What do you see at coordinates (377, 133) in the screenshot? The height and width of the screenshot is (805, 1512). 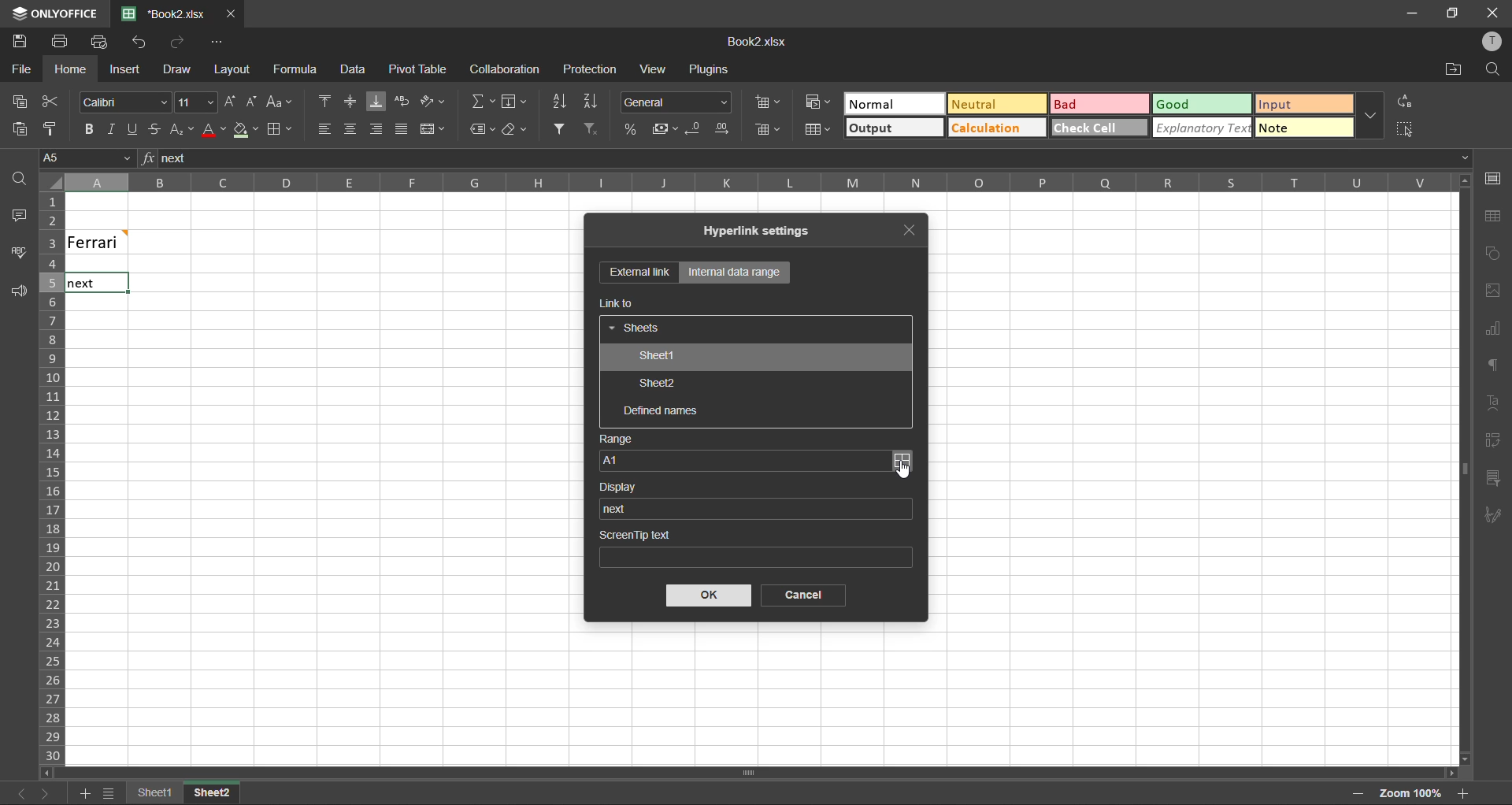 I see `align  right` at bounding box center [377, 133].